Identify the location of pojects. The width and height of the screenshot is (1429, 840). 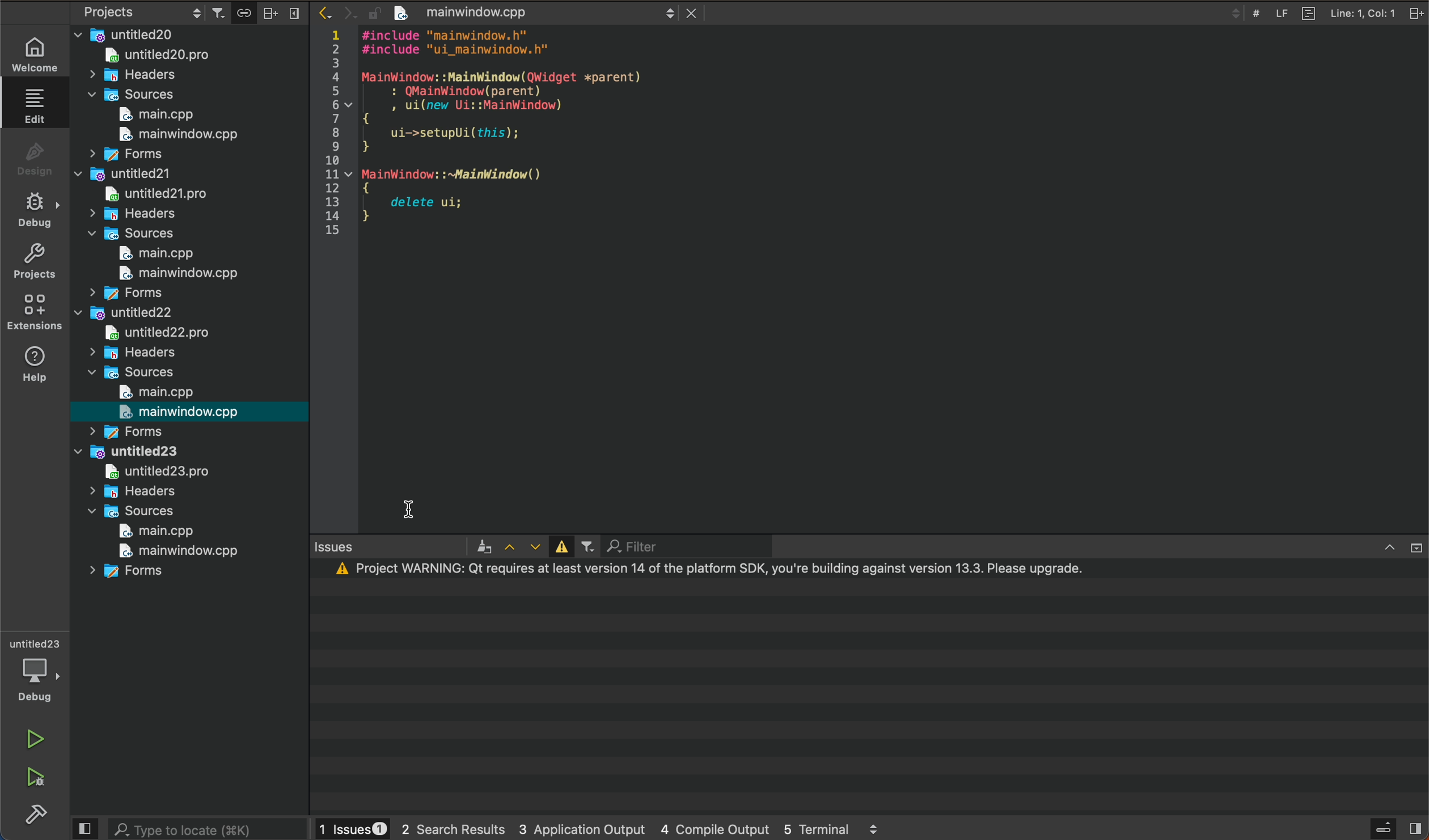
(139, 14).